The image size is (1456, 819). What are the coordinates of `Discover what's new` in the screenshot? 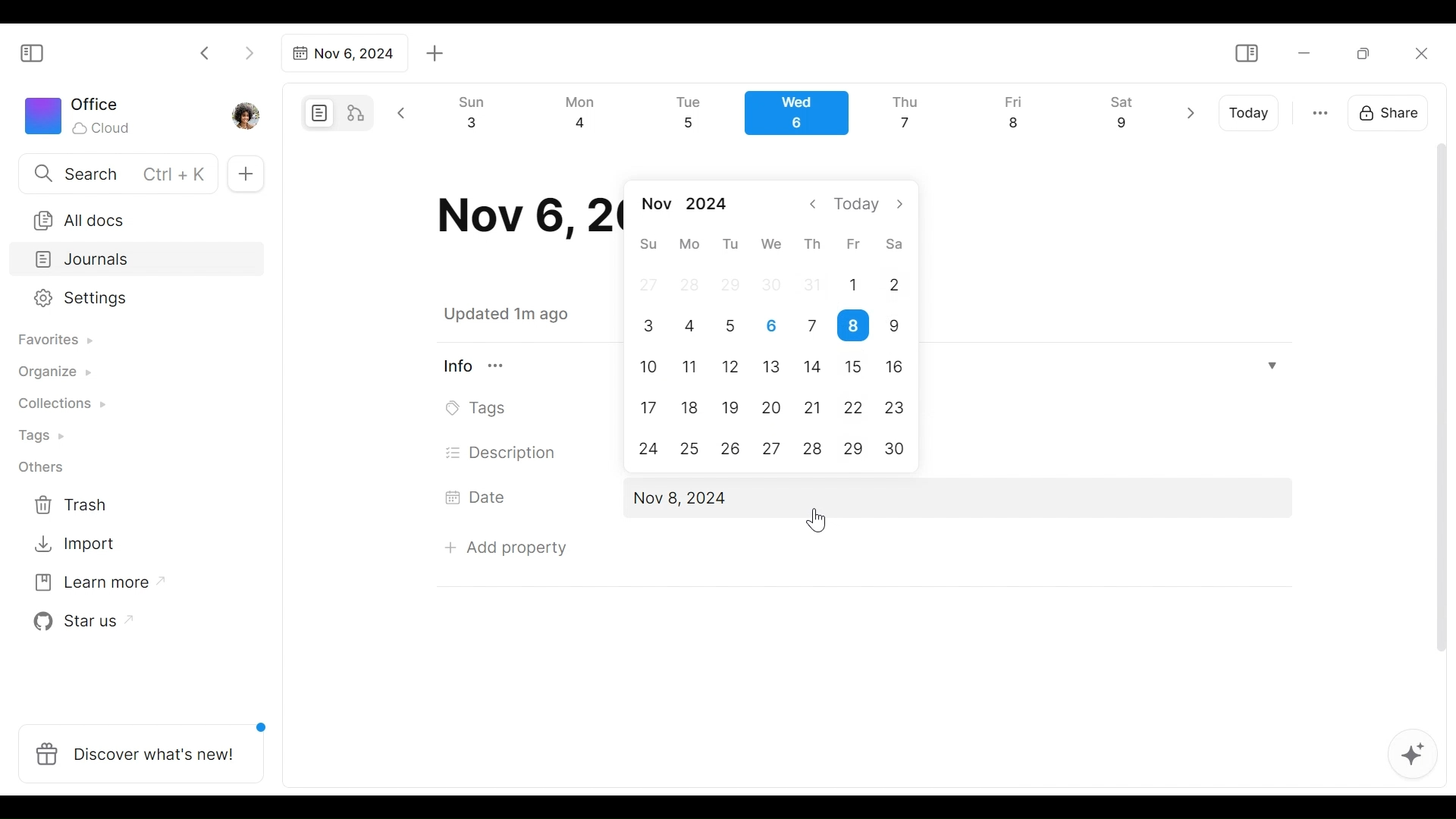 It's located at (147, 745).